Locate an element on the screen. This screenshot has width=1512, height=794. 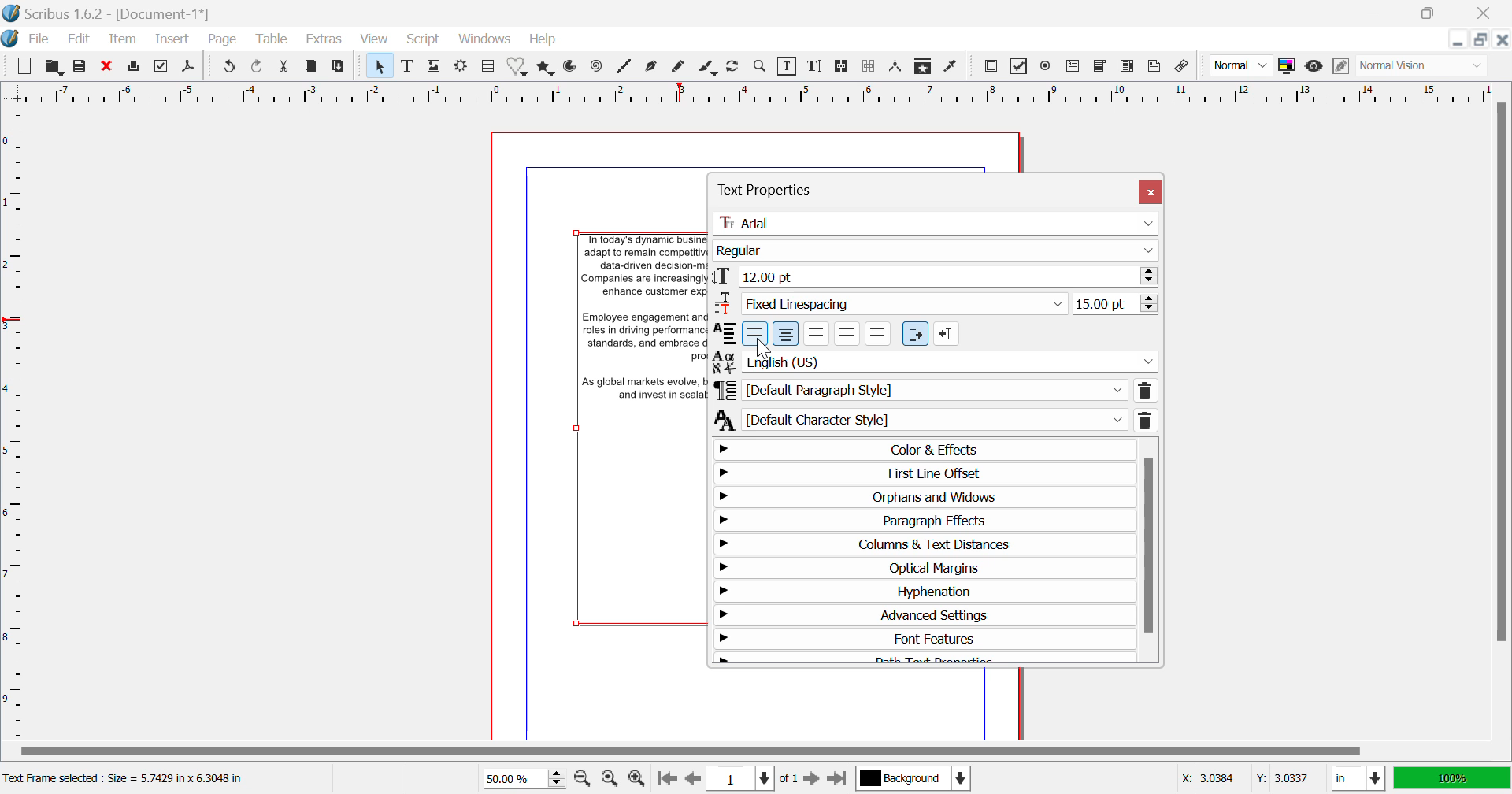
Paste is located at coordinates (339, 66).